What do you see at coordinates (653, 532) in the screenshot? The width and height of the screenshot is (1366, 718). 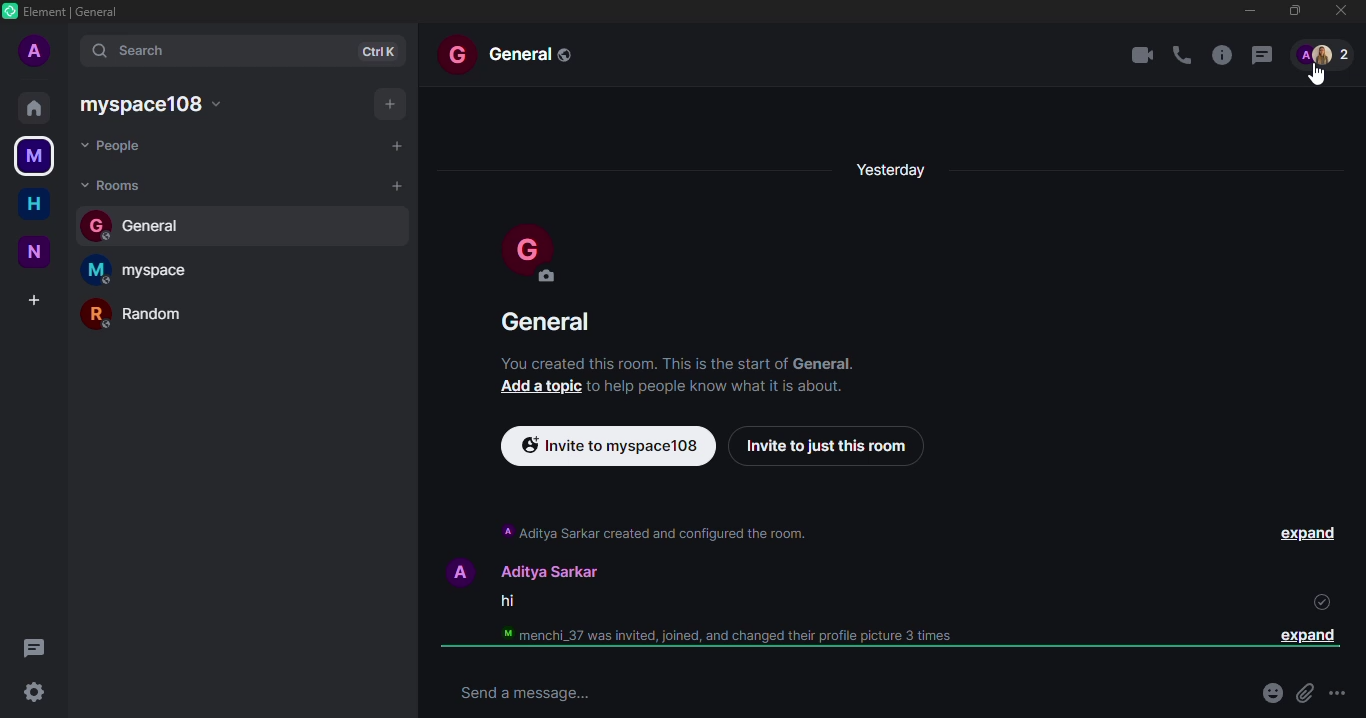 I see `aditya sarkar created and configured the room.` at bounding box center [653, 532].